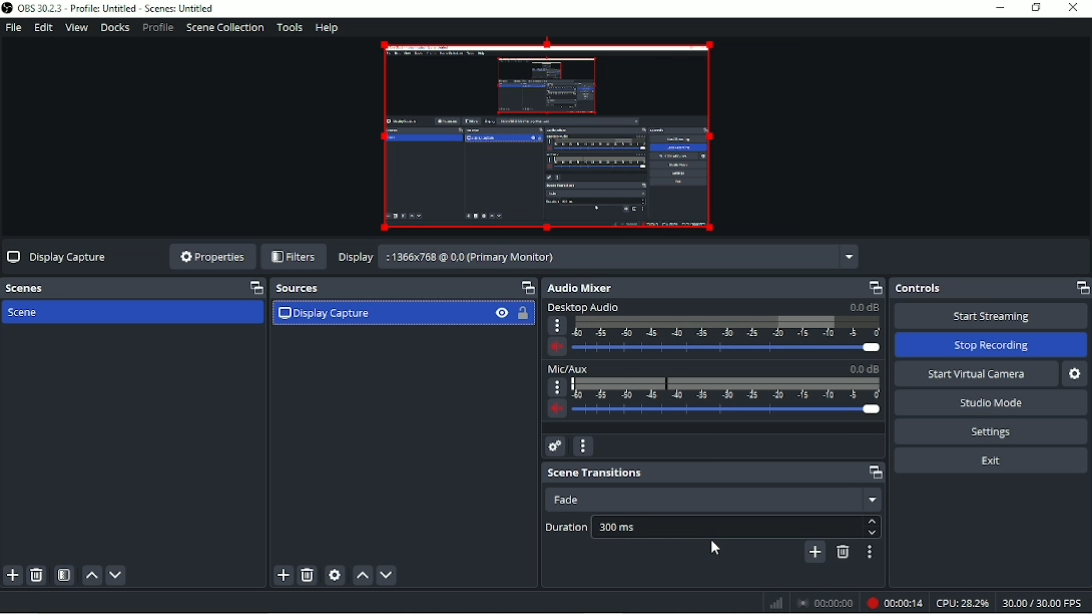 The height and width of the screenshot is (614, 1092). What do you see at coordinates (975, 374) in the screenshot?
I see `Start virtual camera` at bounding box center [975, 374].